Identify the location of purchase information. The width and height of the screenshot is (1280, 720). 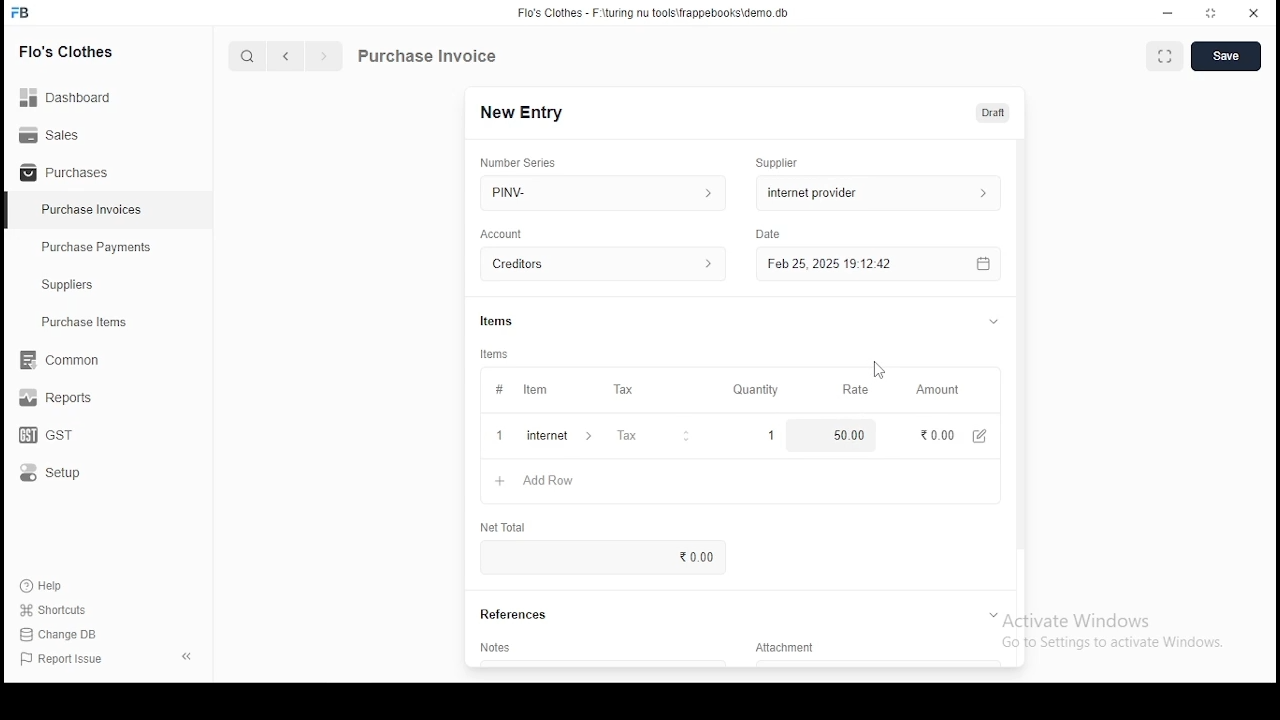
(428, 57).